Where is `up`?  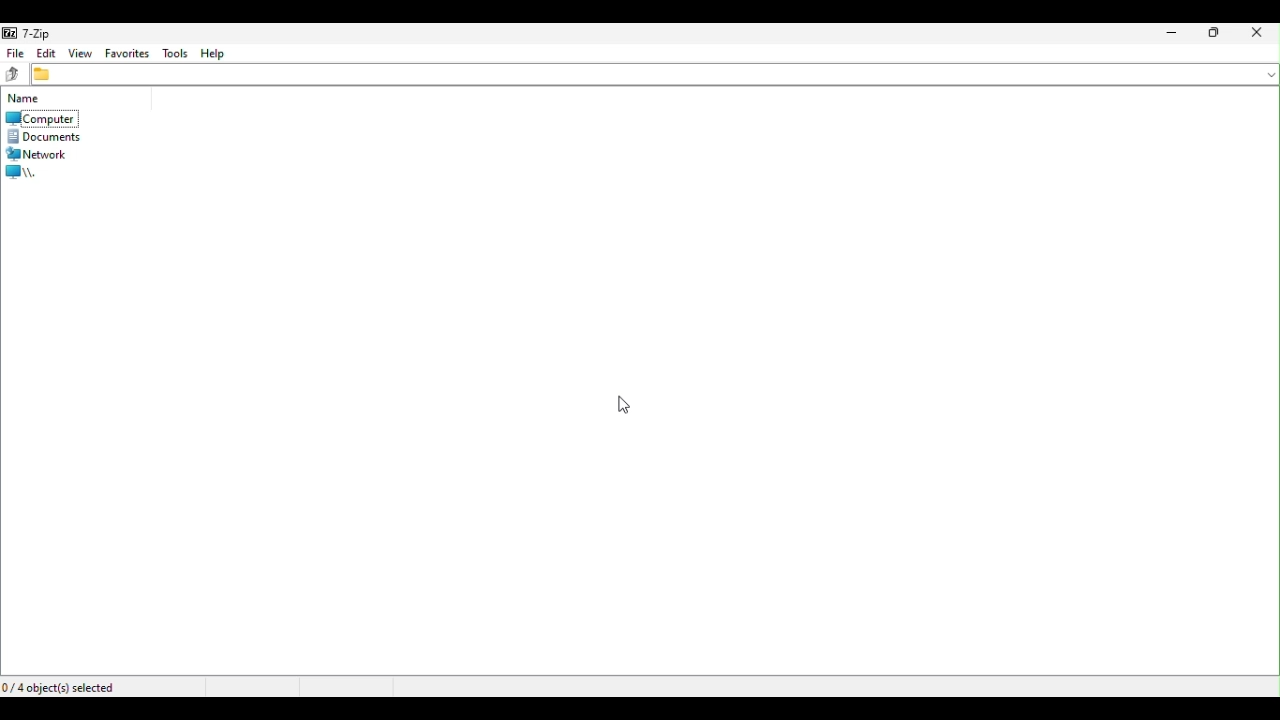 up is located at coordinates (14, 77).